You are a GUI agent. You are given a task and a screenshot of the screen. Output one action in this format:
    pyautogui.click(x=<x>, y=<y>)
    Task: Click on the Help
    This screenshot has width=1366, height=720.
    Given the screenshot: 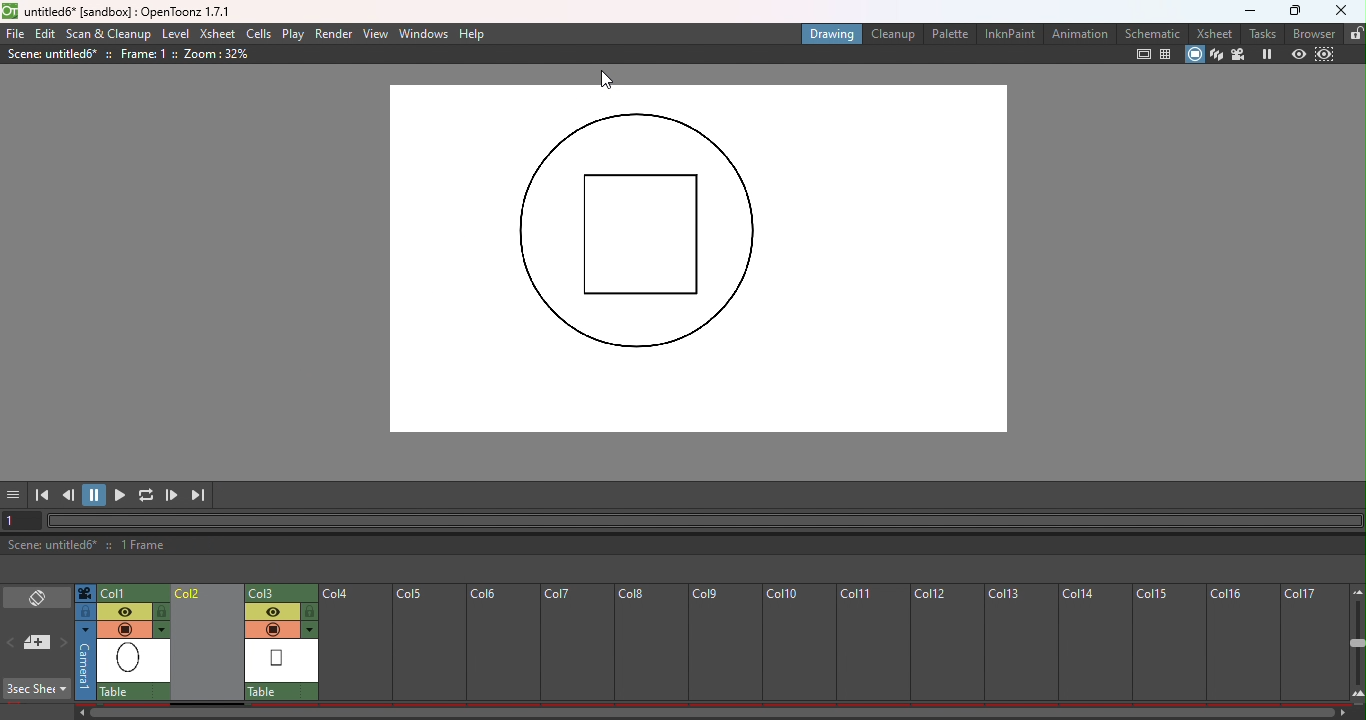 What is the action you would take?
    pyautogui.click(x=473, y=34)
    